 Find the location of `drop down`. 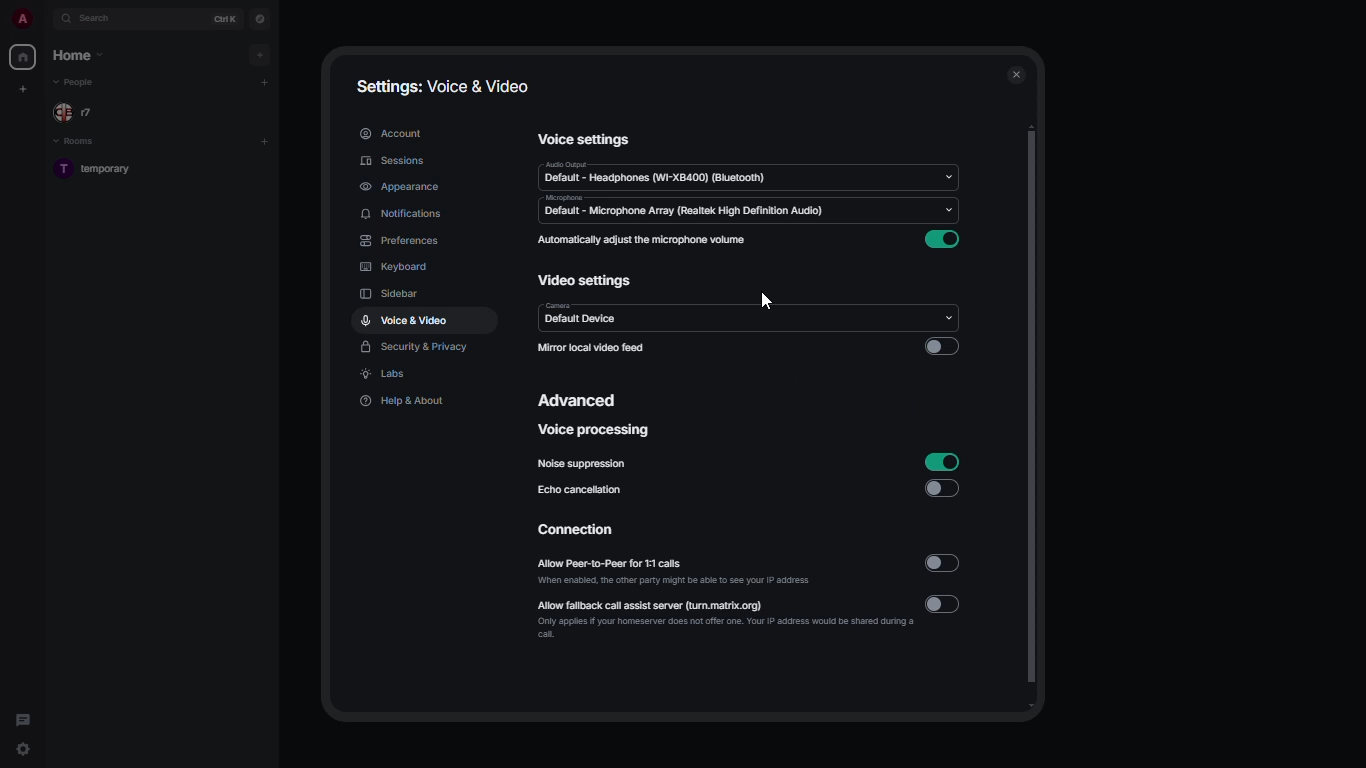

drop down is located at coordinates (948, 176).